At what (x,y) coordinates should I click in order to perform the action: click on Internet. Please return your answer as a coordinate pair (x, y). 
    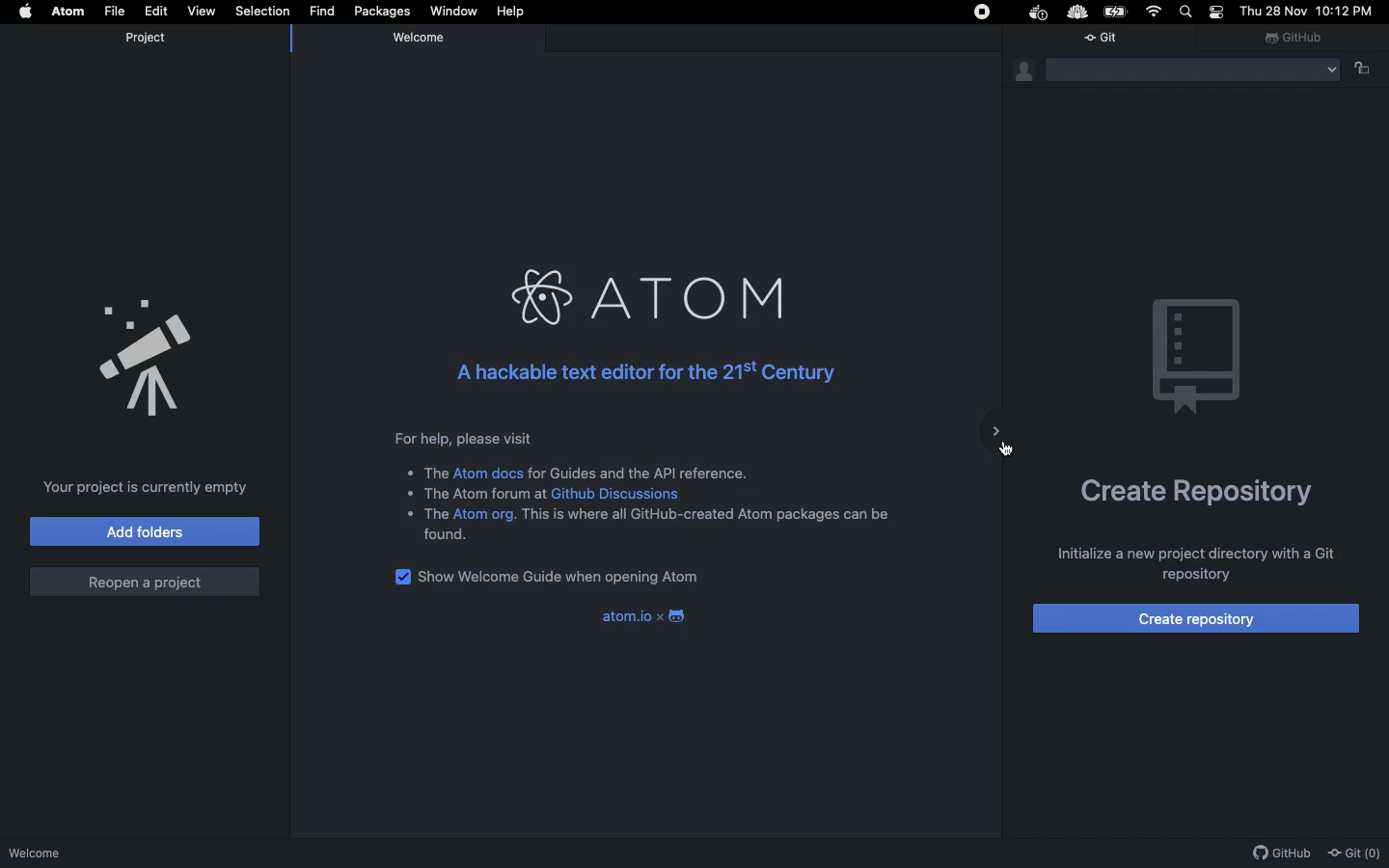
    Looking at the image, I should click on (1156, 12).